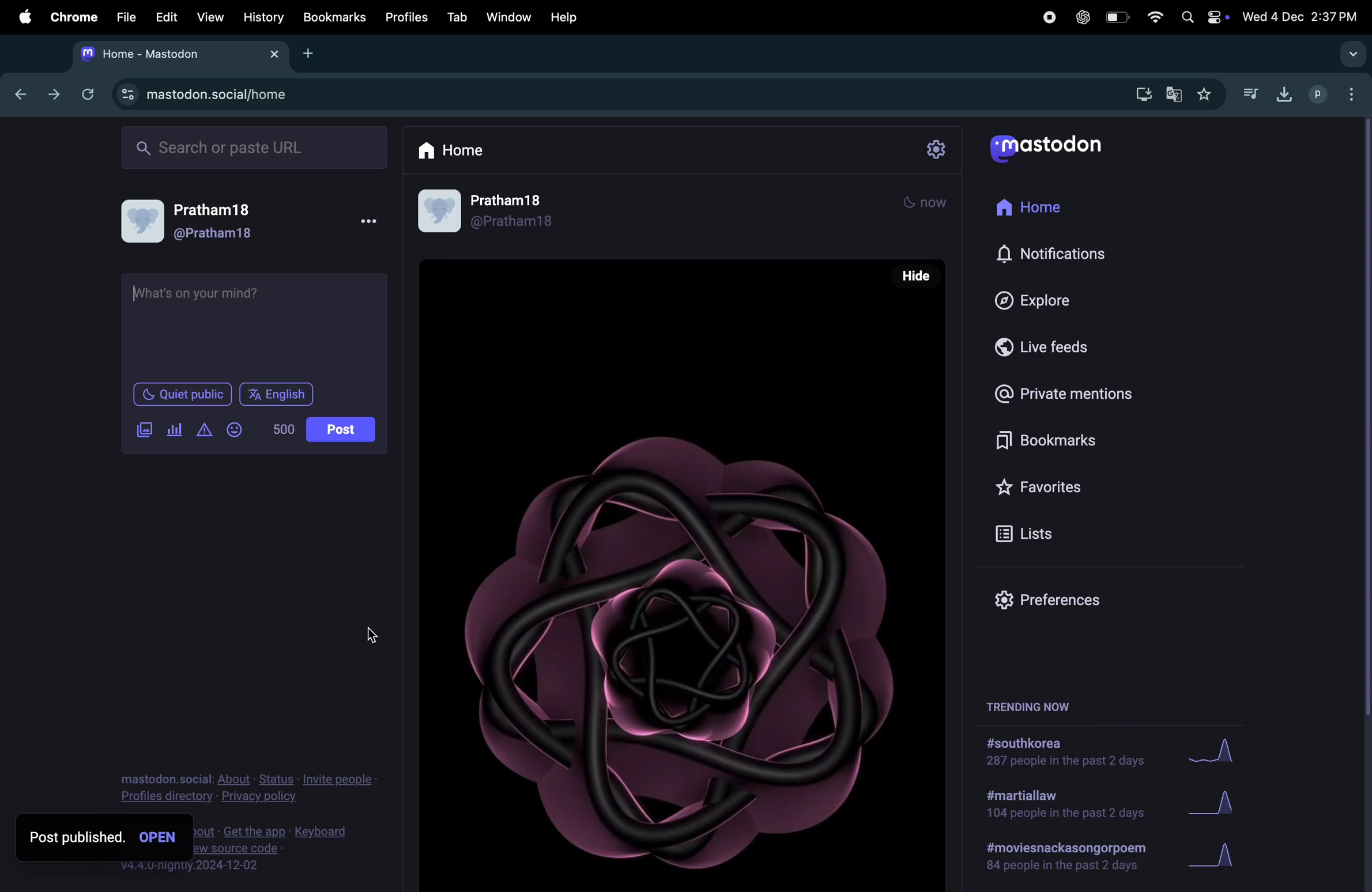  What do you see at coordinates (175, 430) in the screenshot?
I see `poll` at bounding box center [175, 430].